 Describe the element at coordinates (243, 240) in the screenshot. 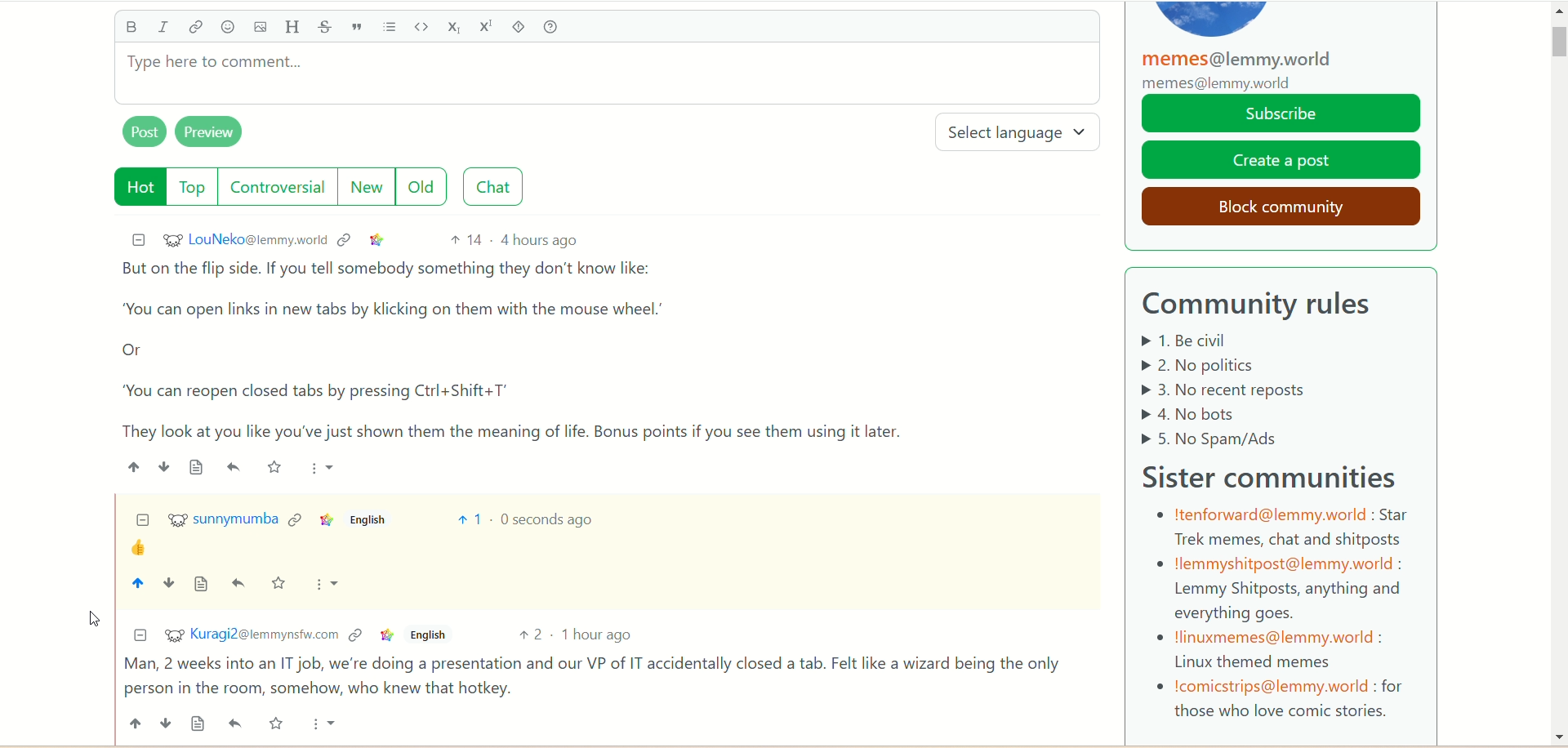

I see `username` at that location.